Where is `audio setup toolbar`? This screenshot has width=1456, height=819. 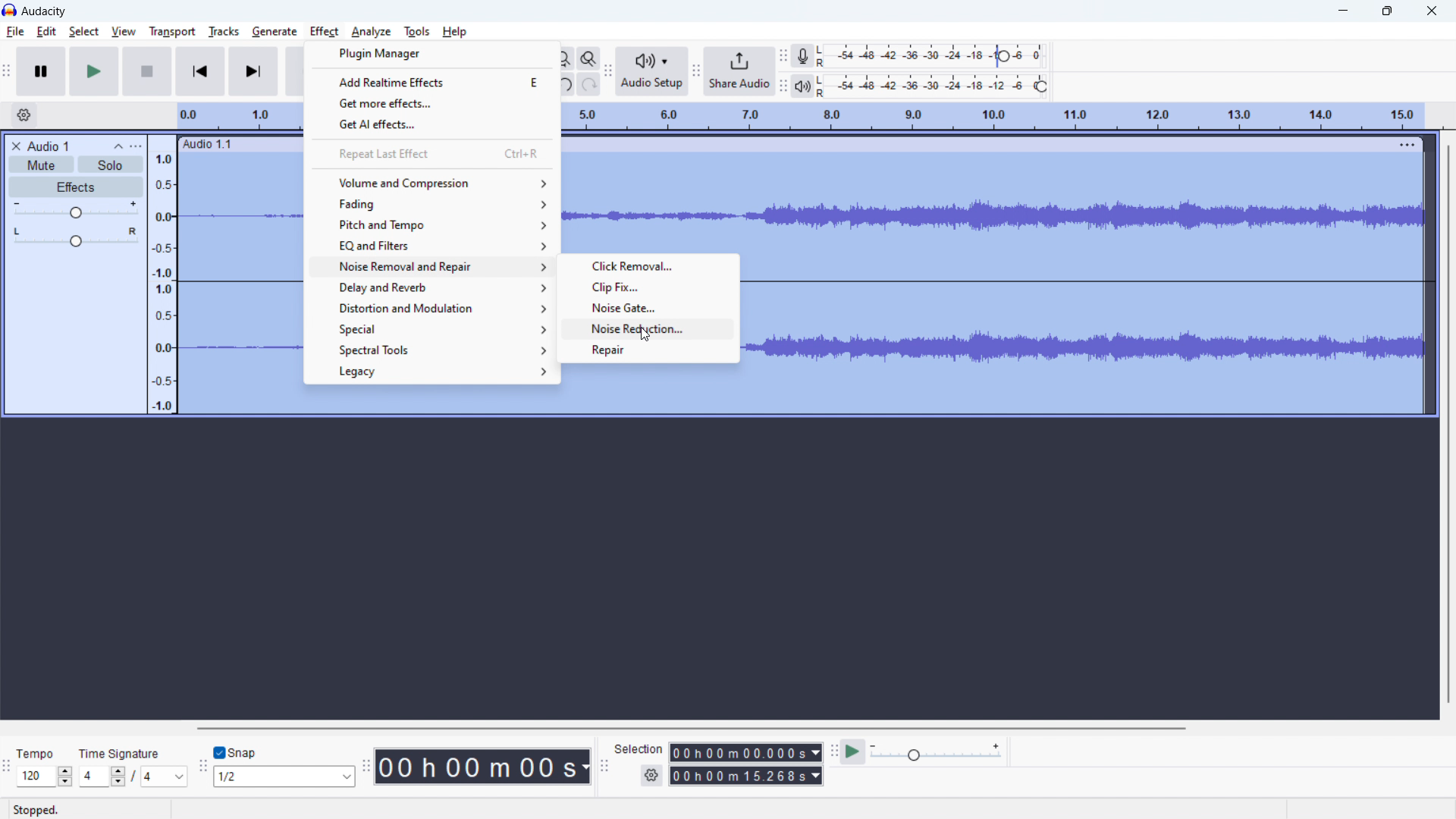
audio setup toolbar is located at coordinates (607, 71).